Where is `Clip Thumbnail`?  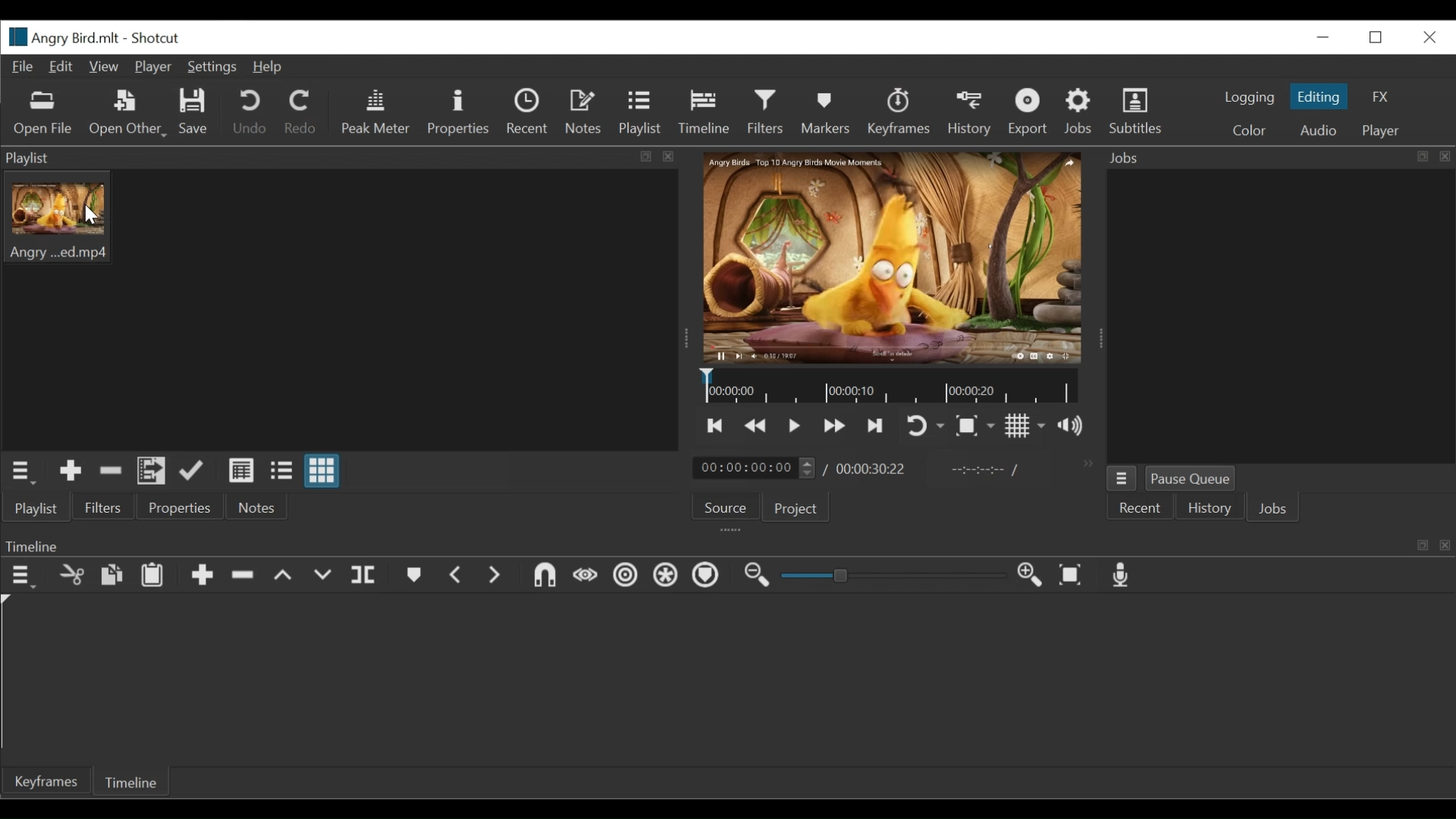
Clip Thumbnail is located at coordinates (340, 309).